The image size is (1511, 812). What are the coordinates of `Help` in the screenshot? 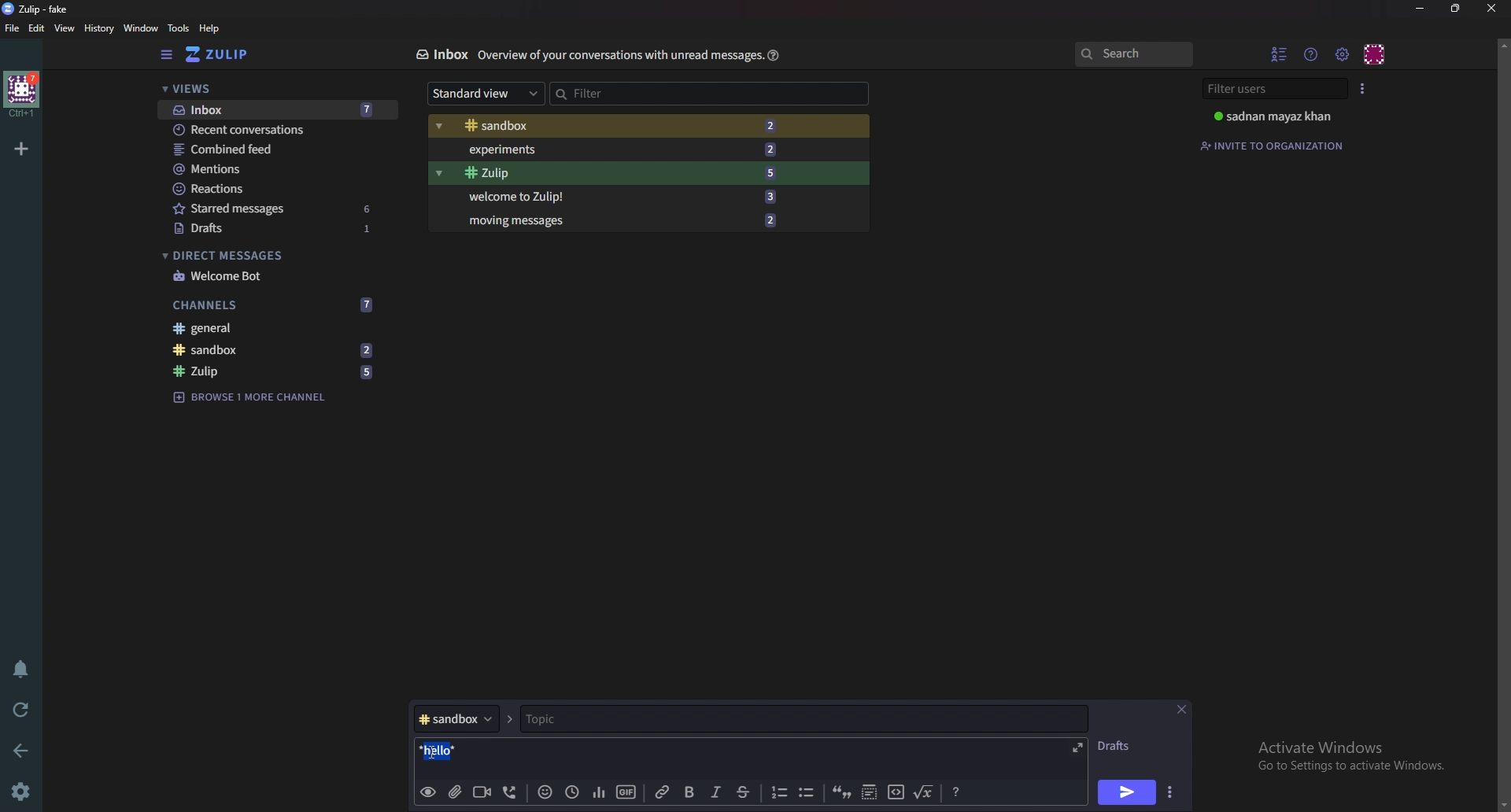 It's located at (775, 54).